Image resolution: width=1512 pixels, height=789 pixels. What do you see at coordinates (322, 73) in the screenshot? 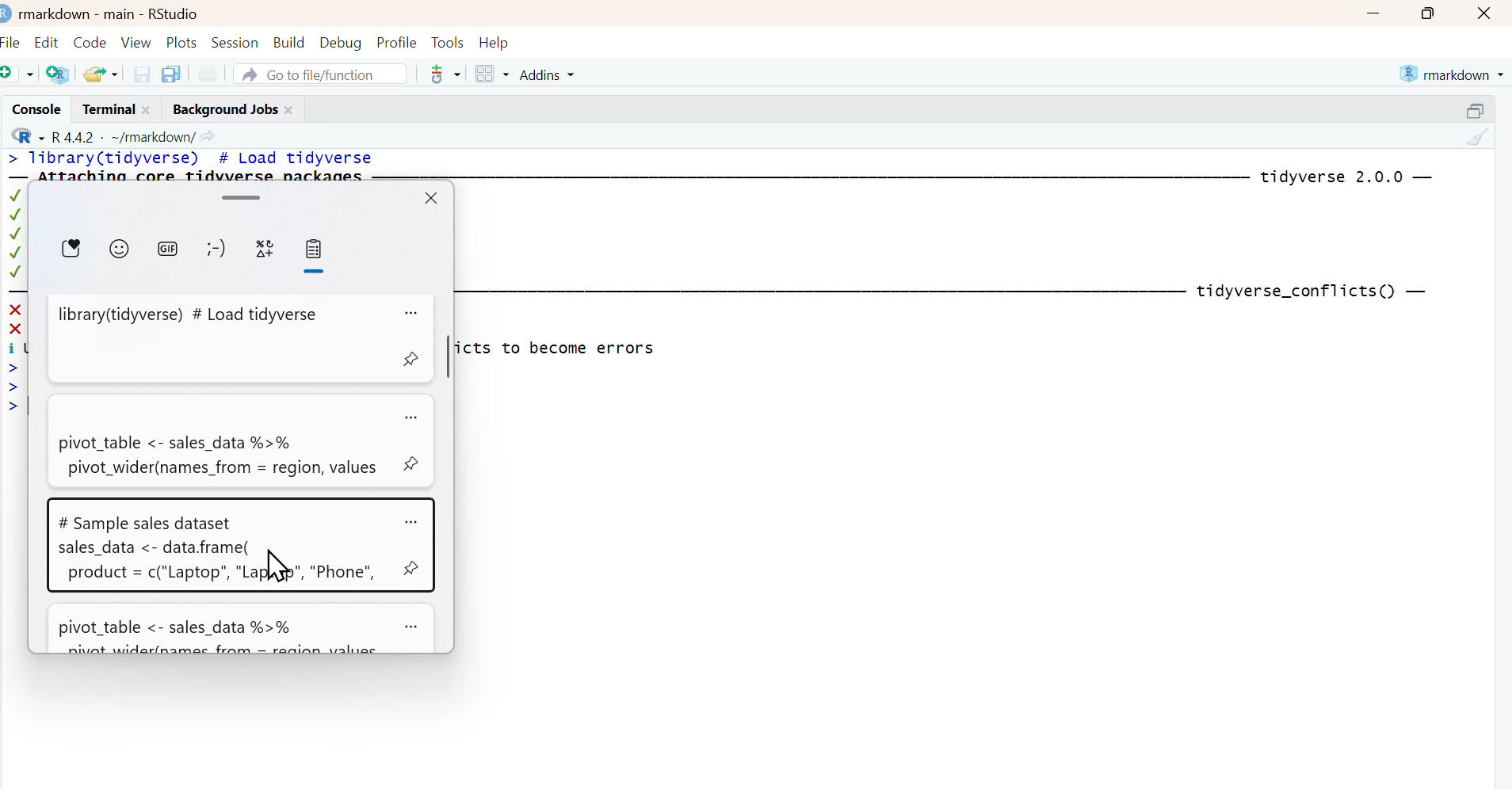
I see `Go to file/function` at bounding box center [322, 73].